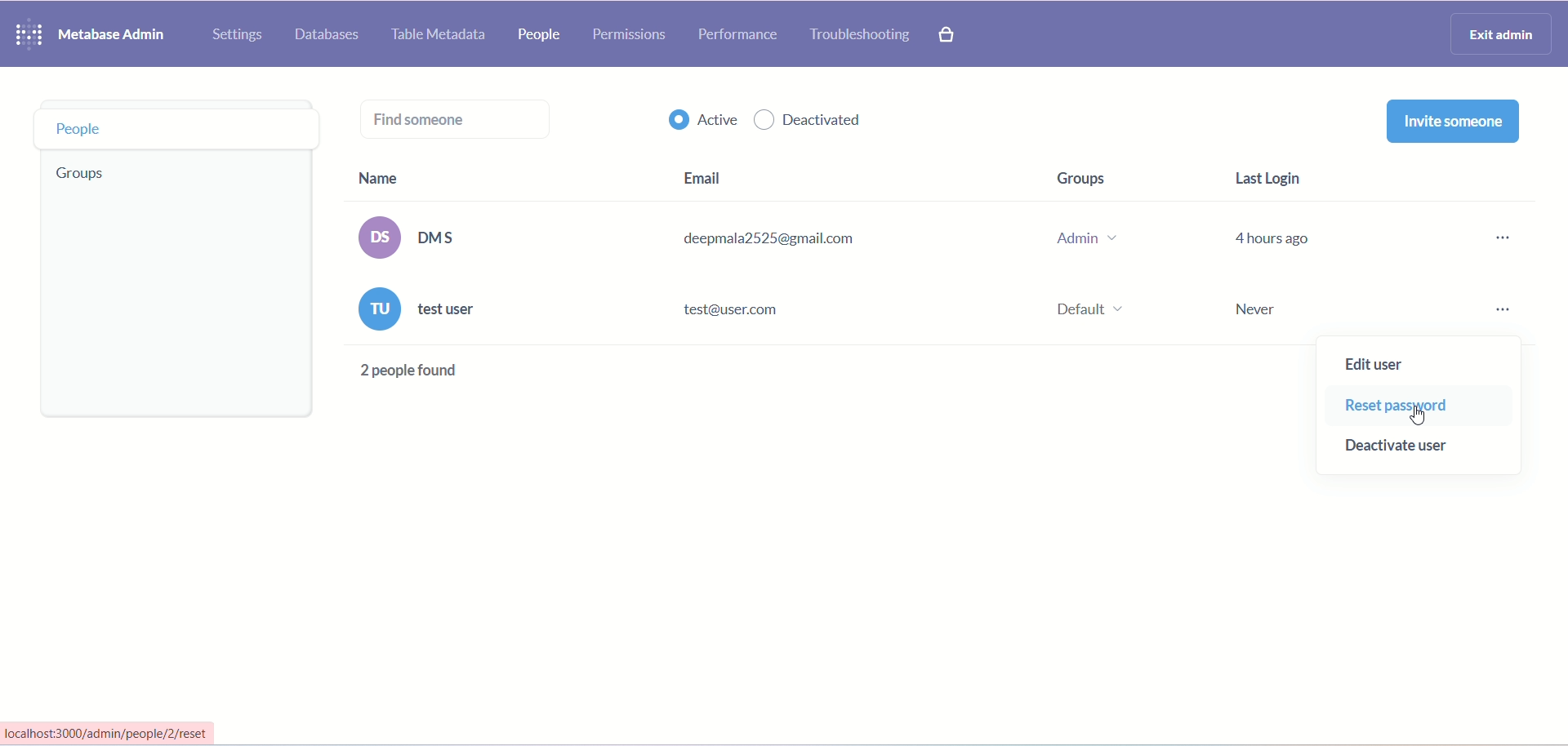  Describe the element at coordinates (236, 35) in the screenshot. I see `settings` at that location.